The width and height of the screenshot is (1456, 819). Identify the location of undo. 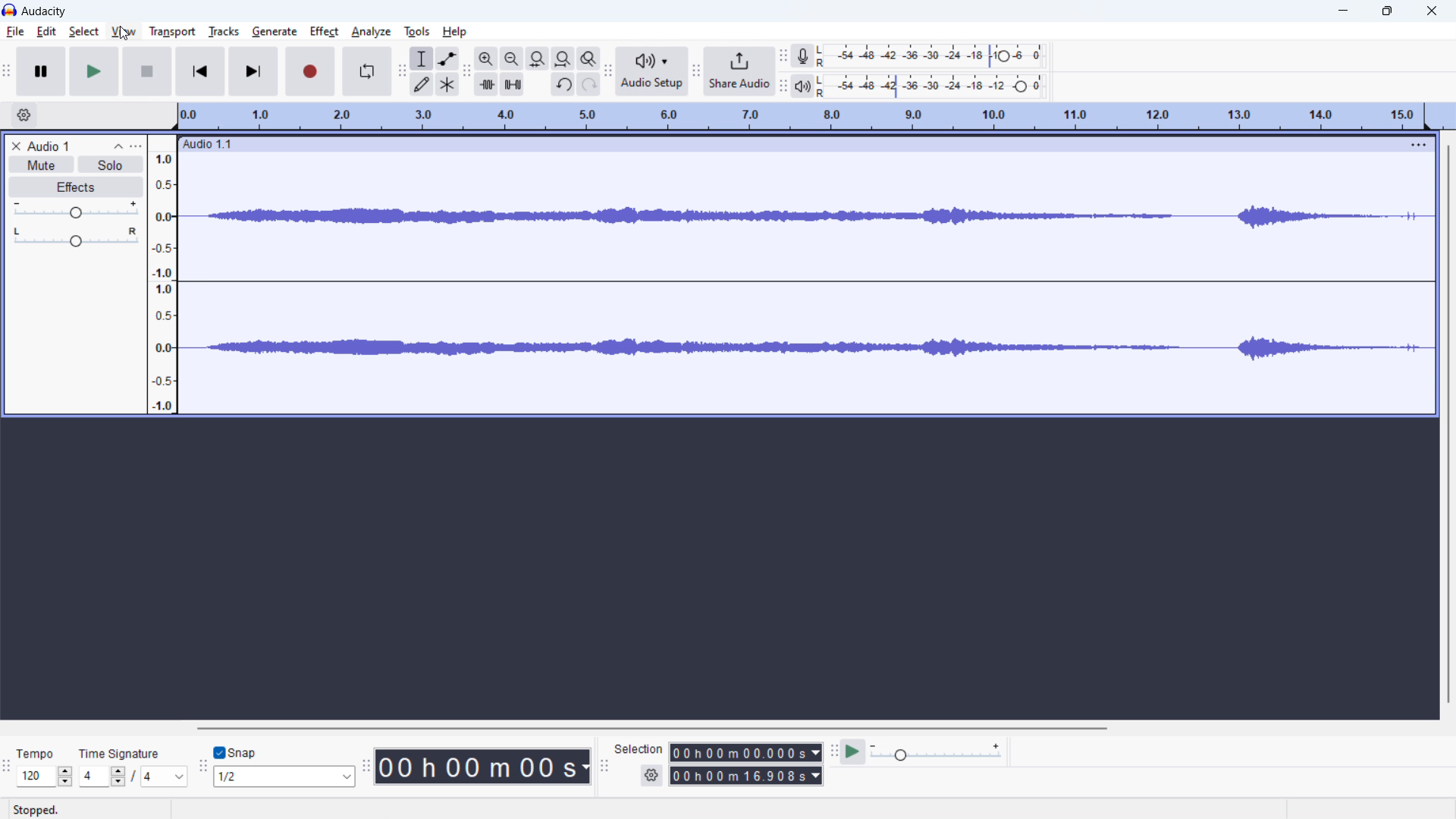
(563, 85).